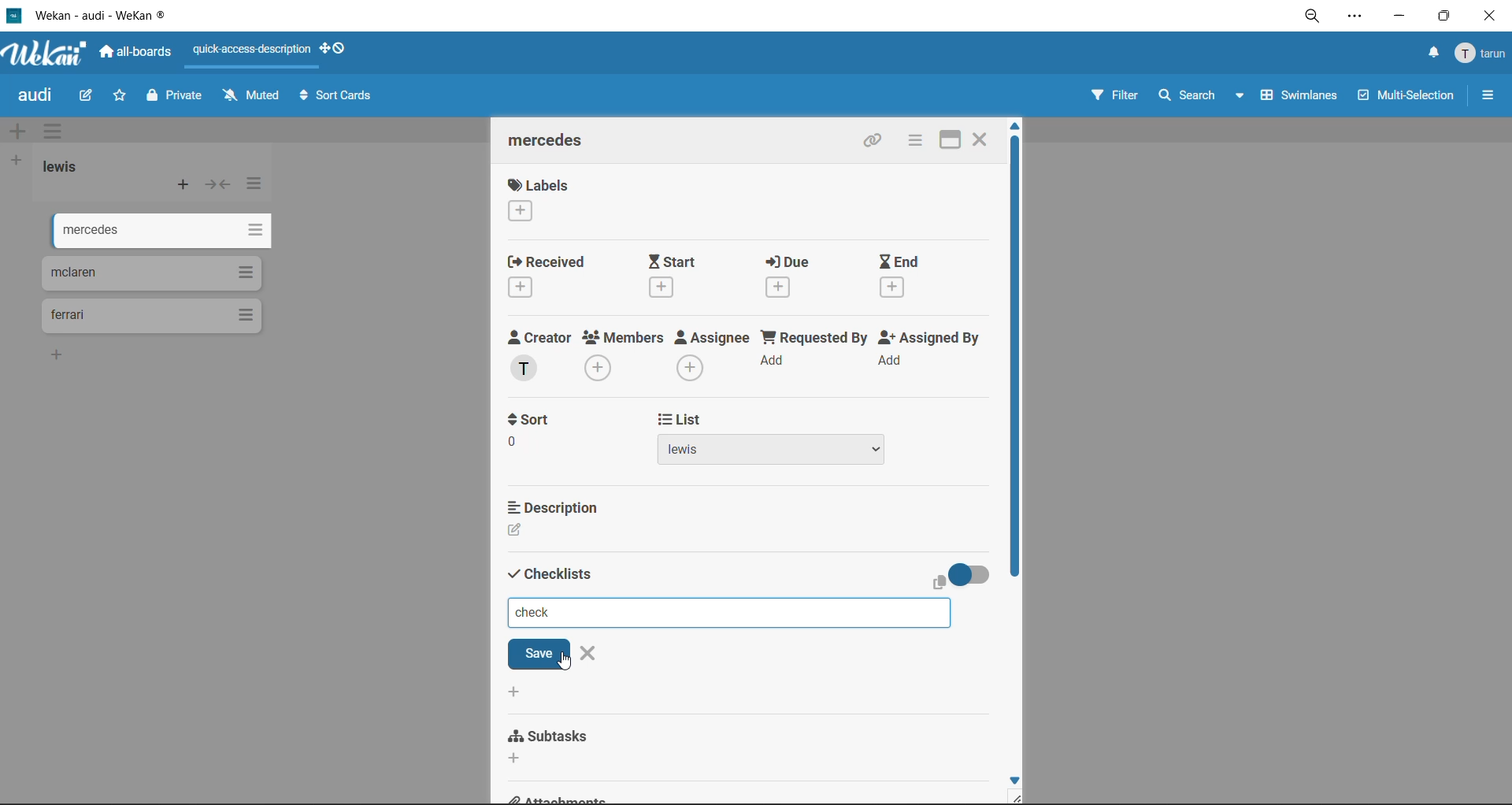  I want to click on cards, so click(150, 273).